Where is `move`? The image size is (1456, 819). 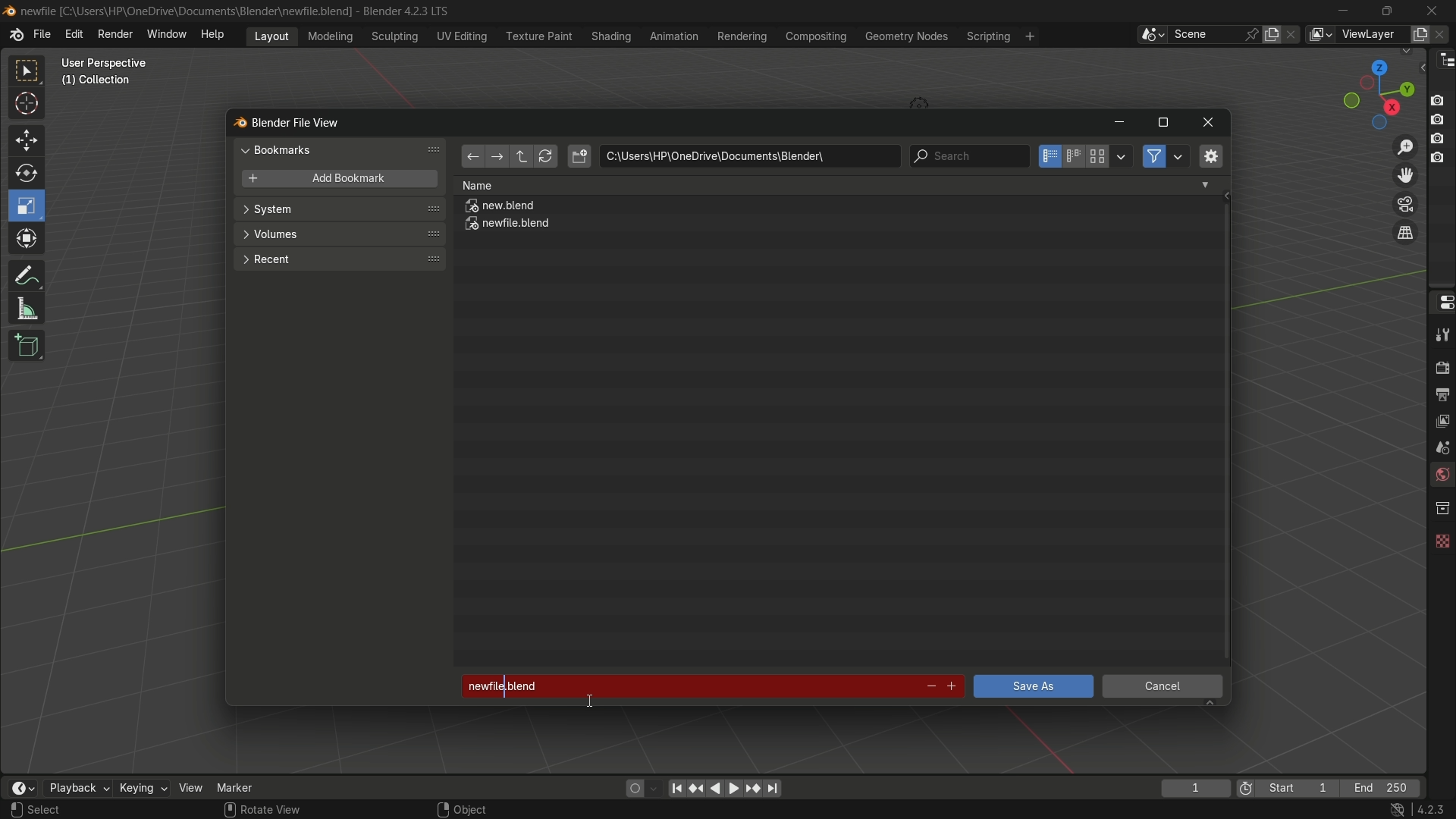
move is located at coordinates (25, 139).